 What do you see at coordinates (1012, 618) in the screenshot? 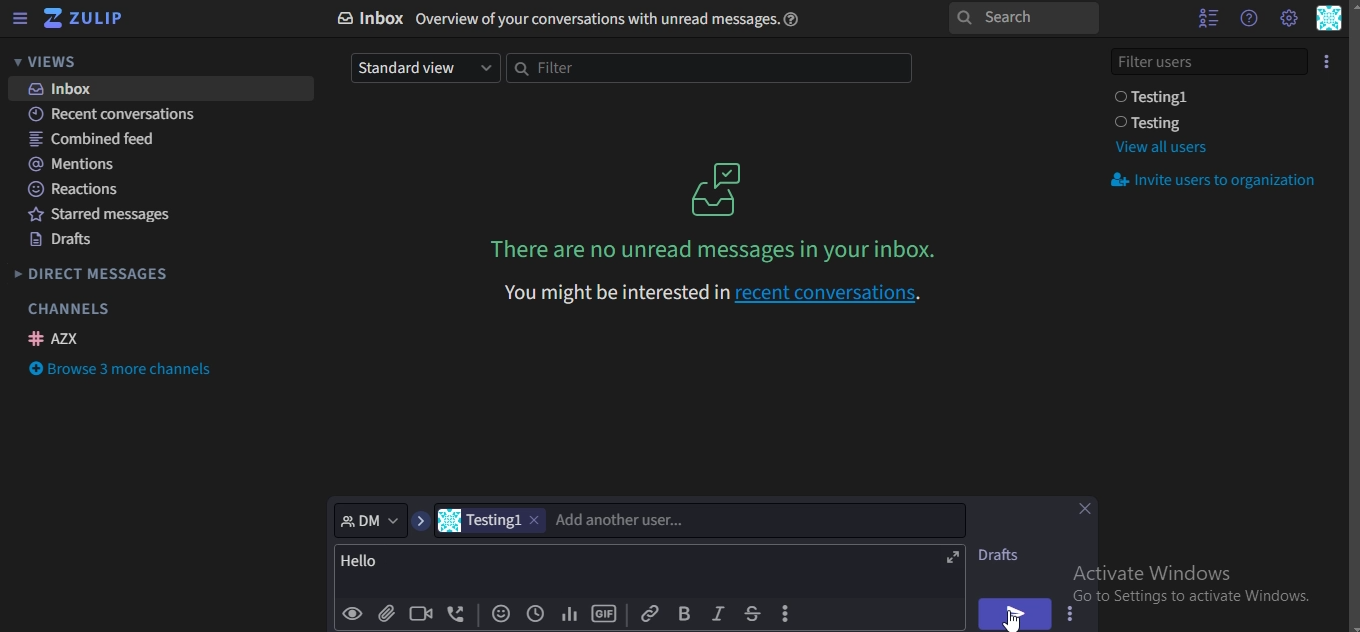
I see `cursor` at bounding box center [1012, 618].